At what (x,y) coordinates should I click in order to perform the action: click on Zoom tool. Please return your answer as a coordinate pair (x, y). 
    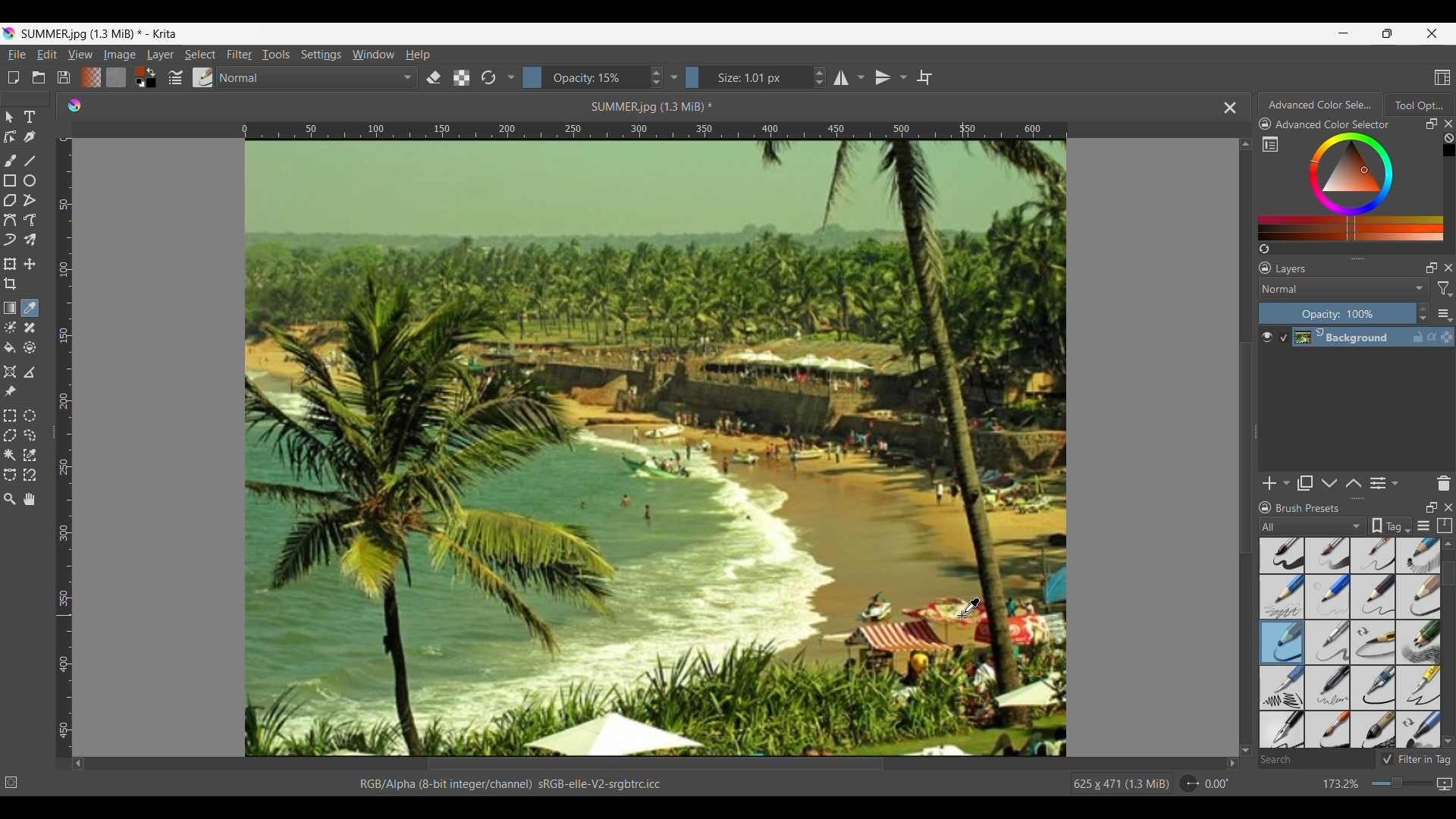
    Looking at the image, I should click on (9, 500).